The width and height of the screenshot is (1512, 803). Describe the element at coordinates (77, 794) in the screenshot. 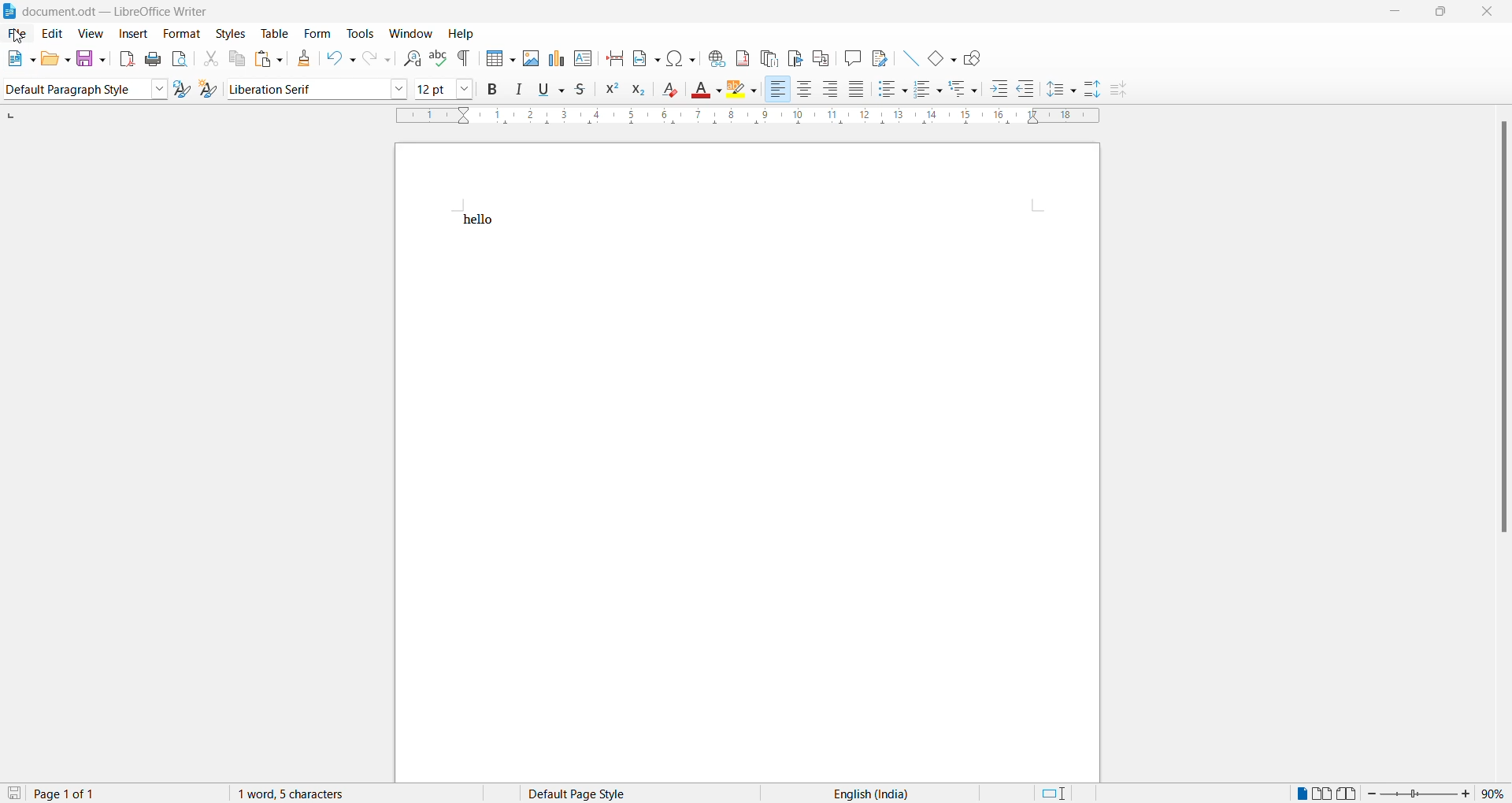

I see `page 1 of 1` at that location.